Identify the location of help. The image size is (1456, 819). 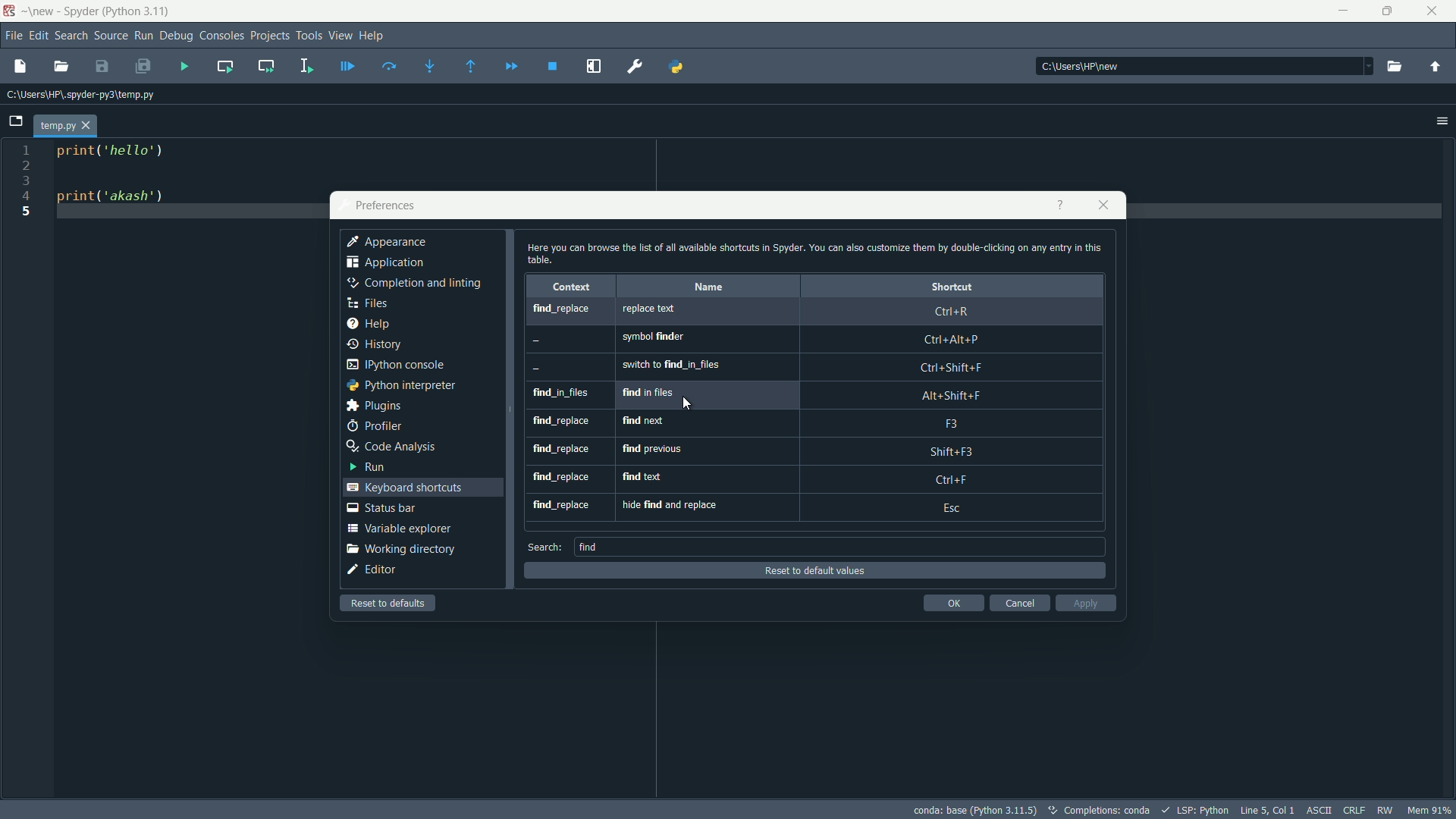
(377, 321).